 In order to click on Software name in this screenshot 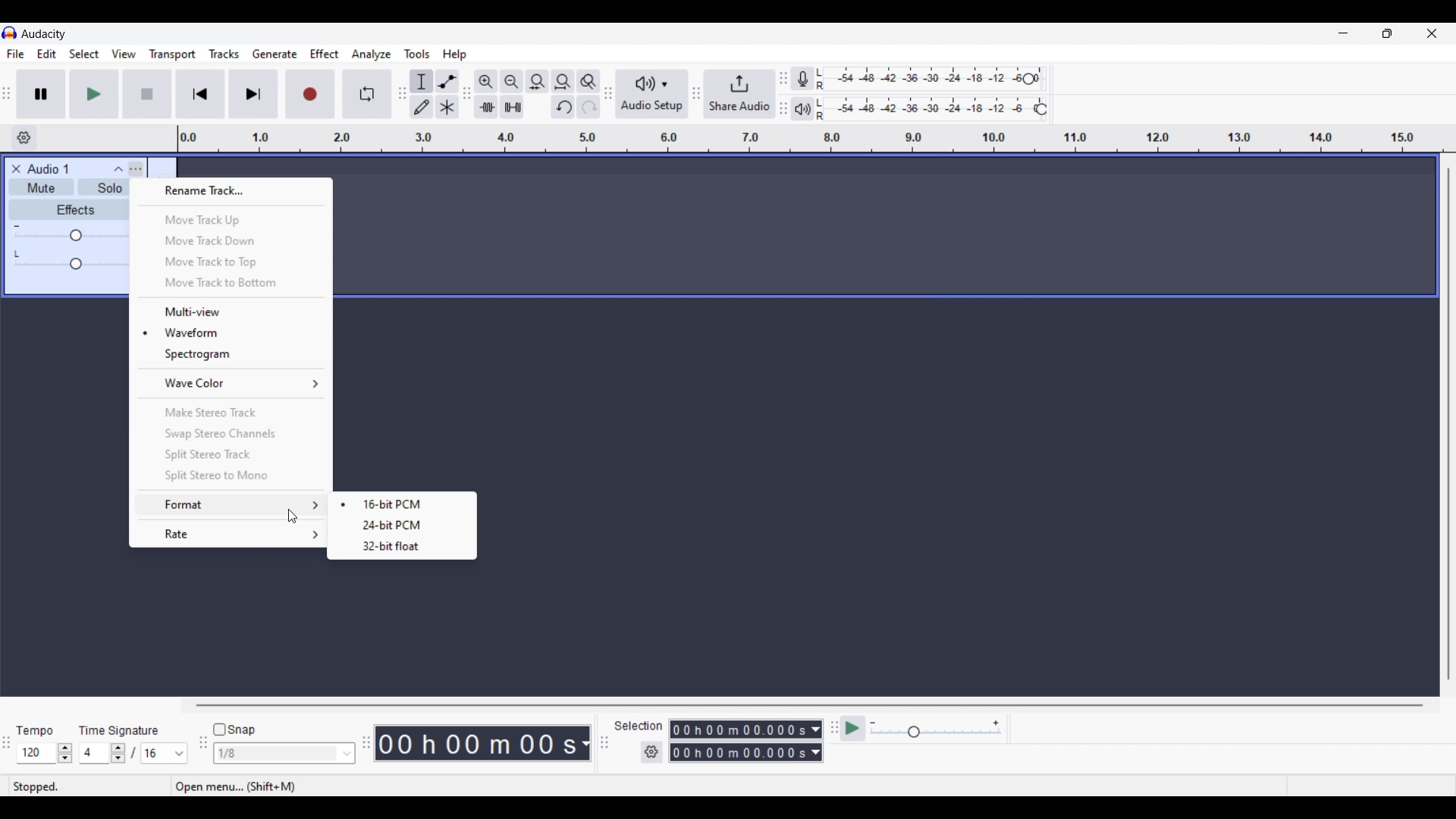, I will do `click(44, 33)`.